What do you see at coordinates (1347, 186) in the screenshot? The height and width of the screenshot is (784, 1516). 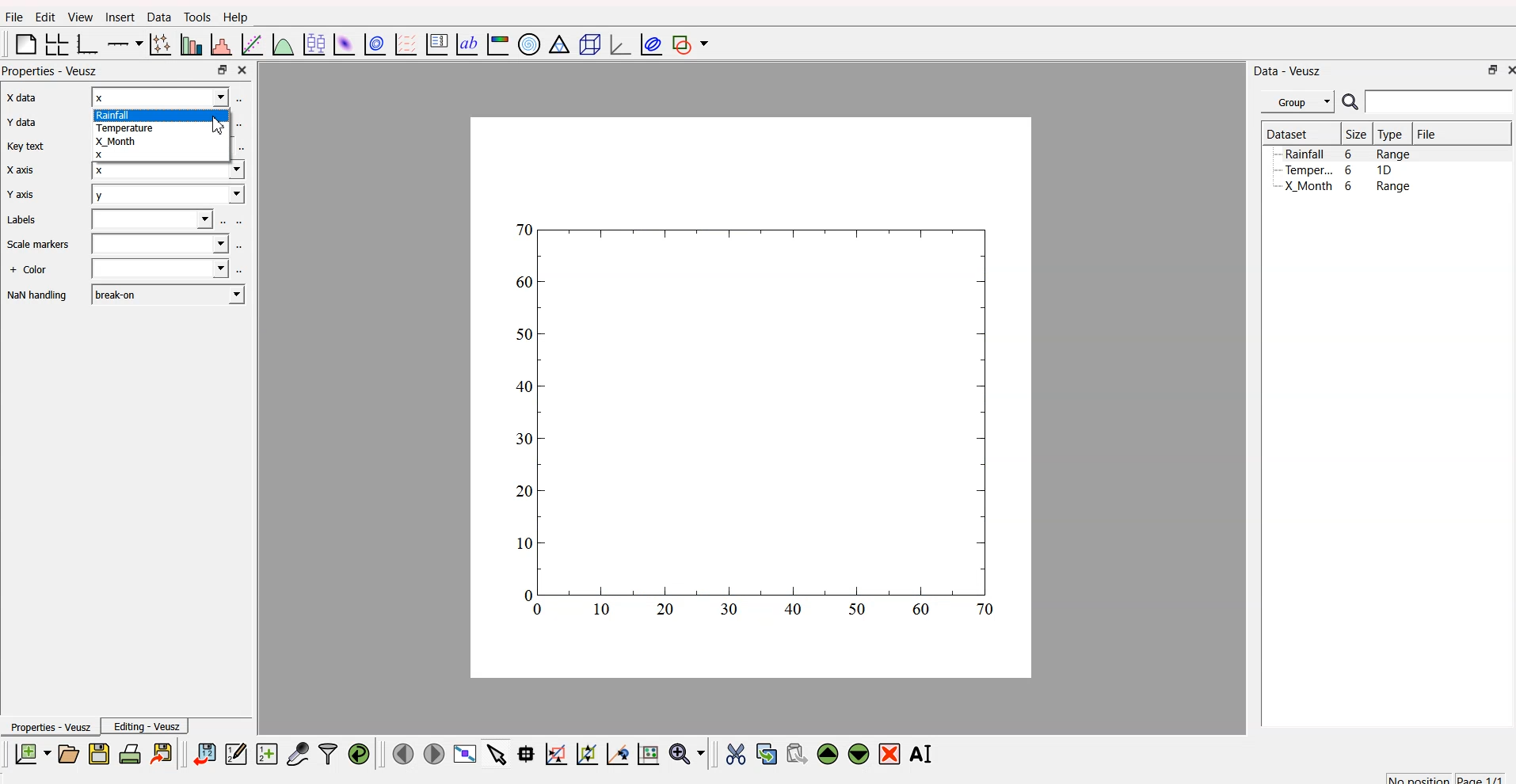 I see `X Month 6 Range` at bounding box center [1347, 186].